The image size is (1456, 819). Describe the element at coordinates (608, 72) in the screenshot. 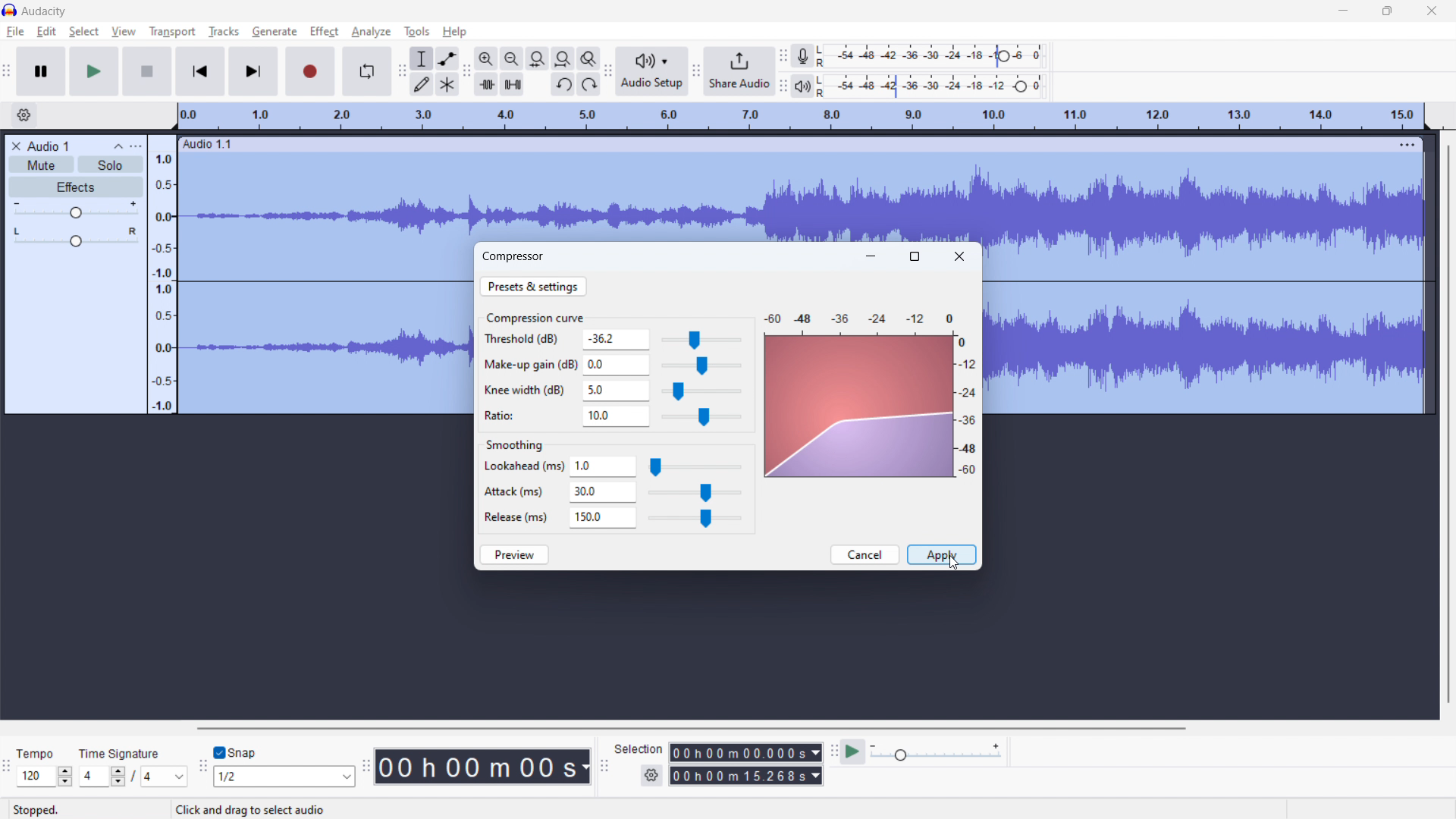

I see `Audio setup toolbar` at that location.